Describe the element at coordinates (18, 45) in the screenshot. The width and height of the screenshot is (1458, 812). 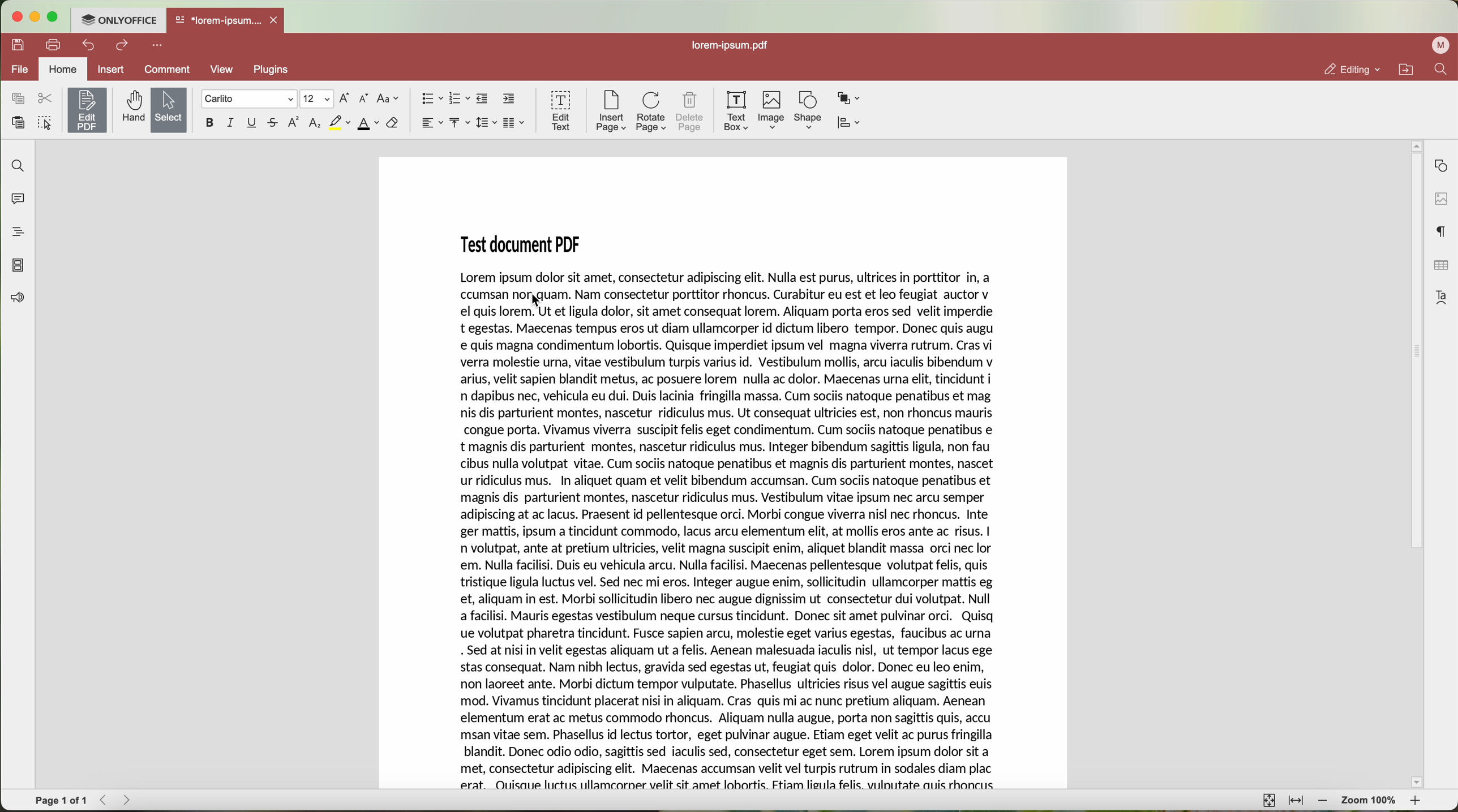
I see `save` at that location.